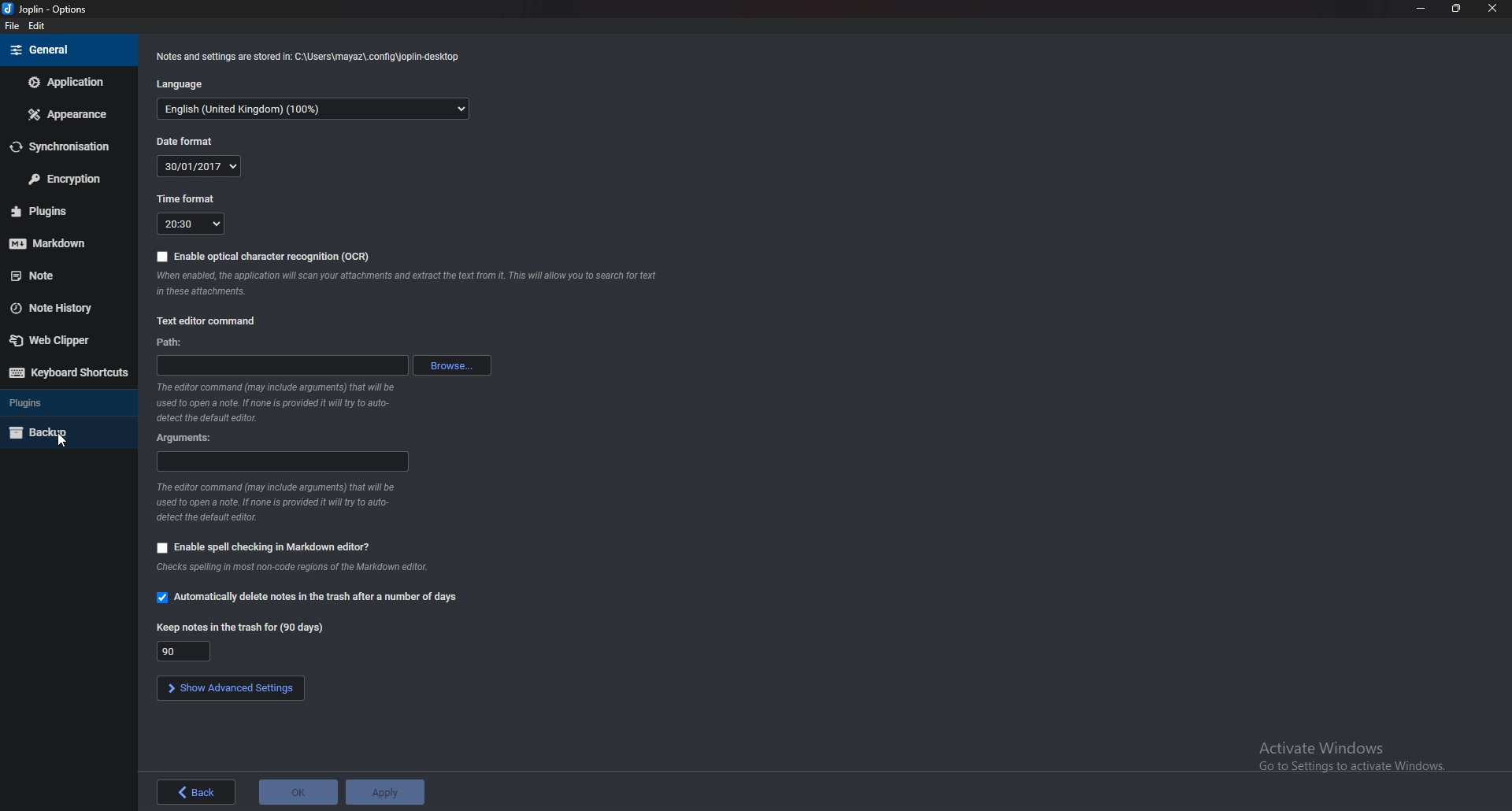  I want to click on Arguments, so click(280, 461).